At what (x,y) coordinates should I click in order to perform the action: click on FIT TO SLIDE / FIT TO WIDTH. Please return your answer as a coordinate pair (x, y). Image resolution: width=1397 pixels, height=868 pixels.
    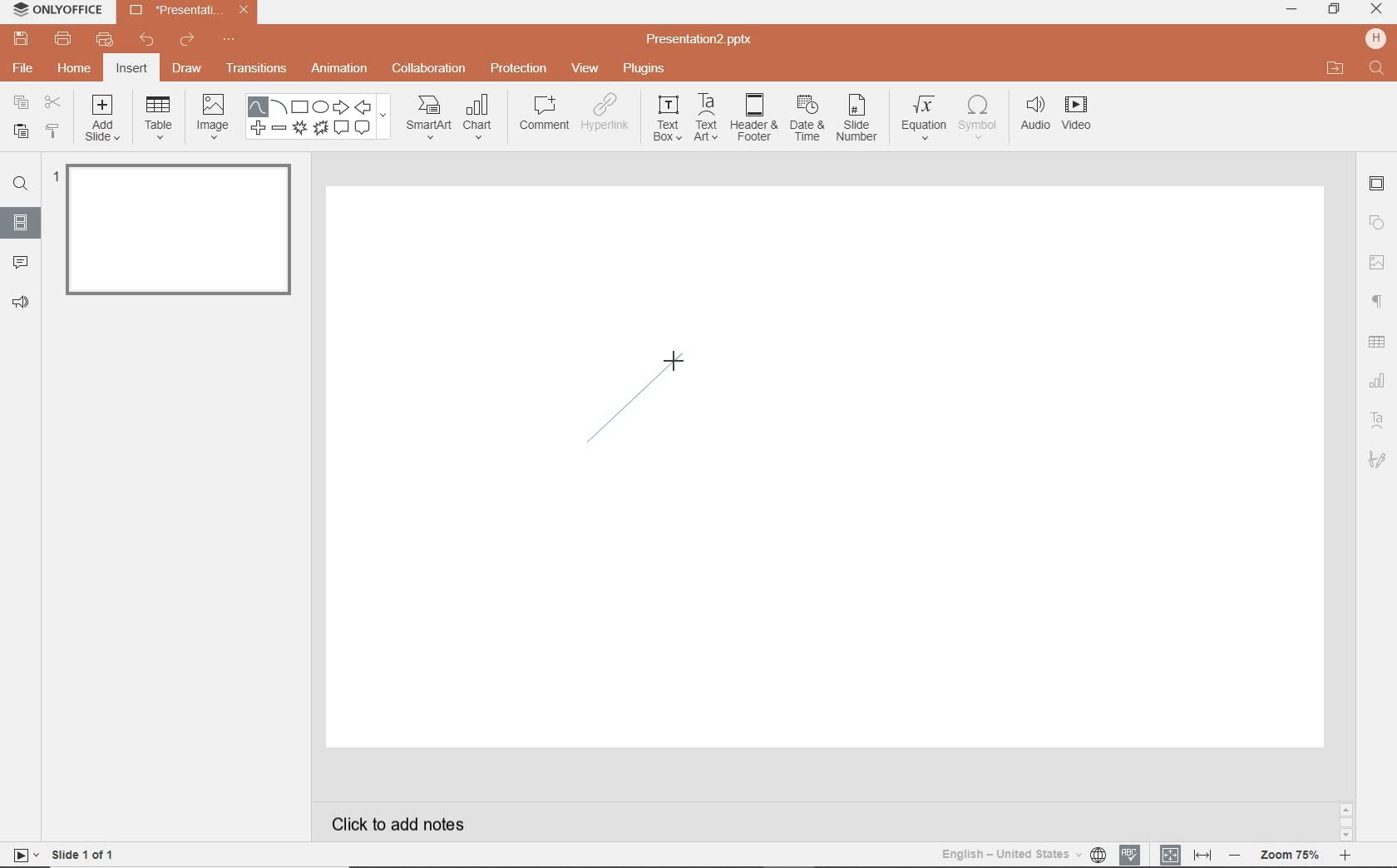
    Looking at the image, I should click on (1186, 853).